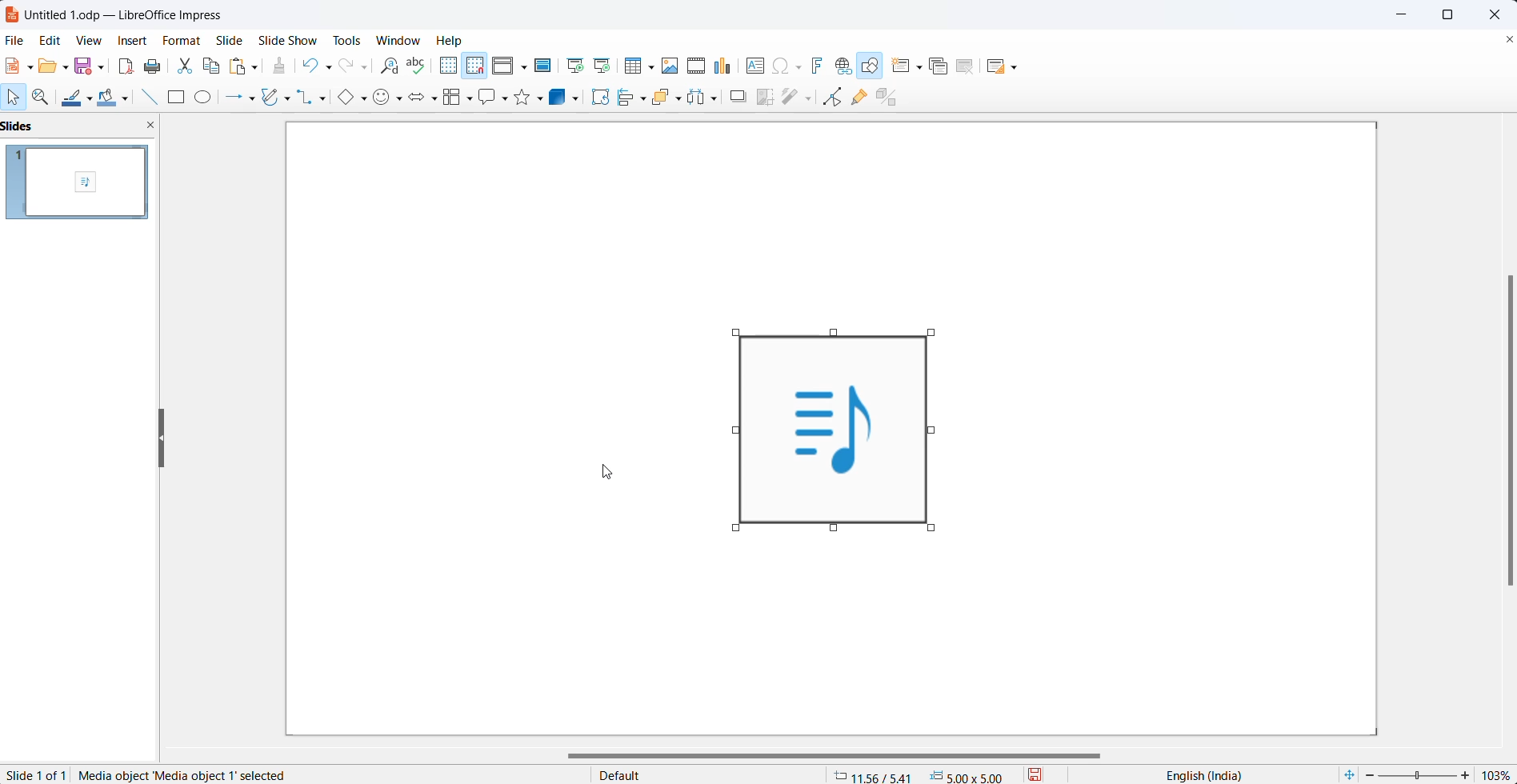 This screenshot has height=784, width=1517. What do you see at coordinates (383, 99) in the screenshot?
I see `symbol shapes option` at bounding box center [383, 99].